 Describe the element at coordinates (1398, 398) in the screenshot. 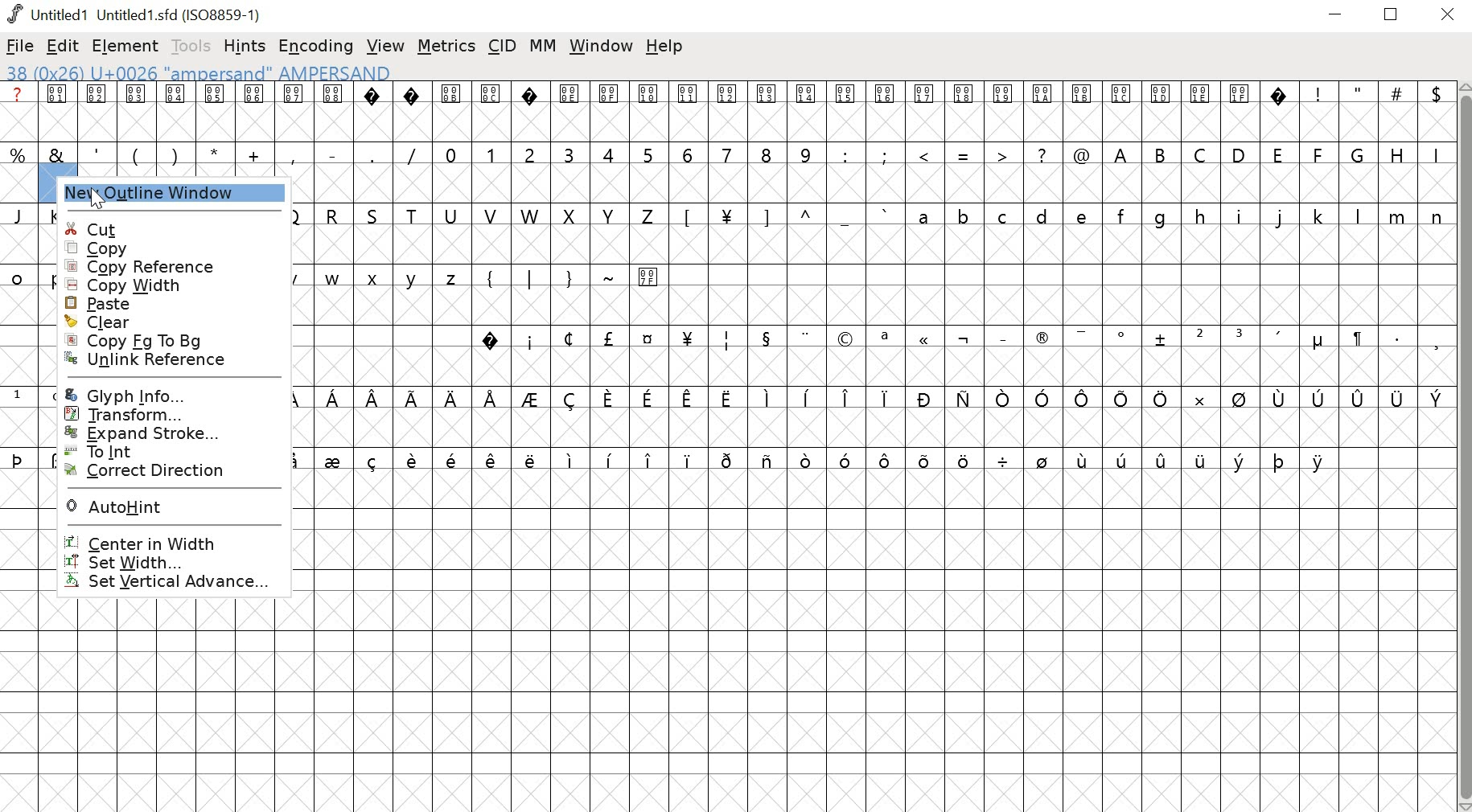

I see `symbol` at that location.